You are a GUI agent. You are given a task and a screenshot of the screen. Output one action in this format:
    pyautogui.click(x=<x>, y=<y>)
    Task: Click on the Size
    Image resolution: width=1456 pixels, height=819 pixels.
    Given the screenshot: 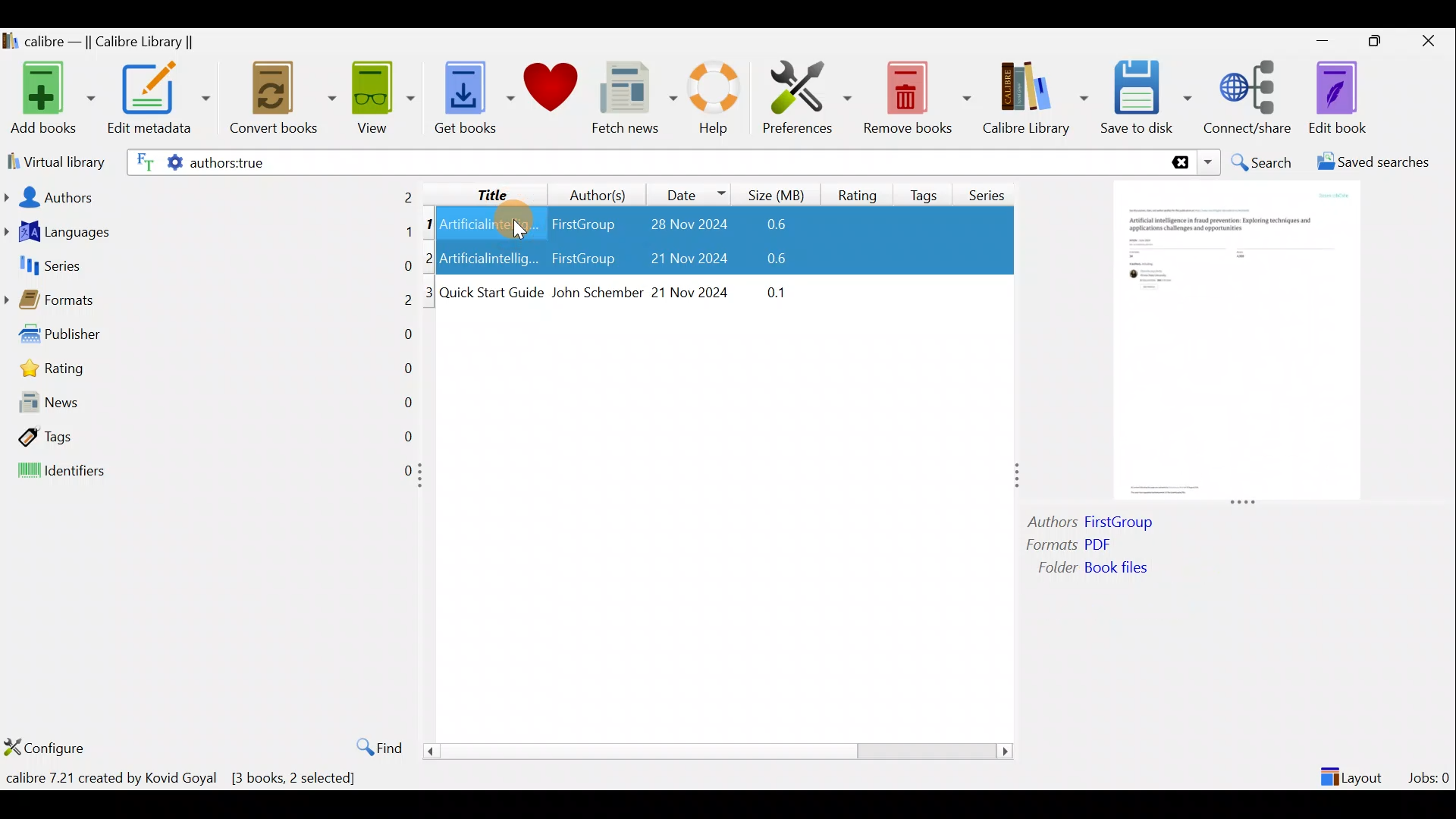 What is the action you would take?
    pyautogui.click(x=780, y=193)
    